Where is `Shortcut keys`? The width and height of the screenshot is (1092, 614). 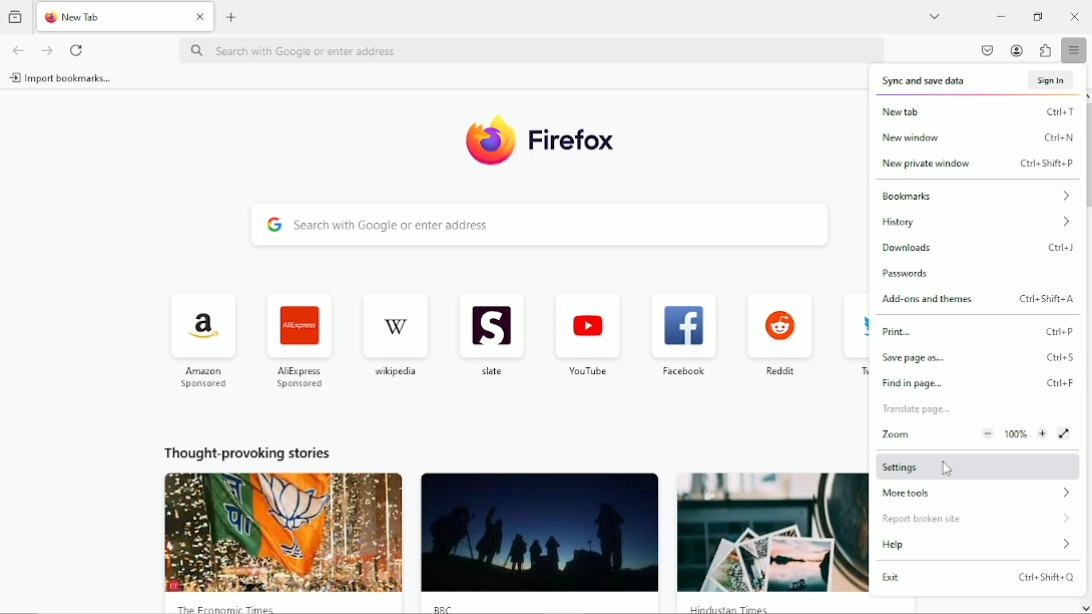
Shortcut keys is located at coordinates (1060, 382).